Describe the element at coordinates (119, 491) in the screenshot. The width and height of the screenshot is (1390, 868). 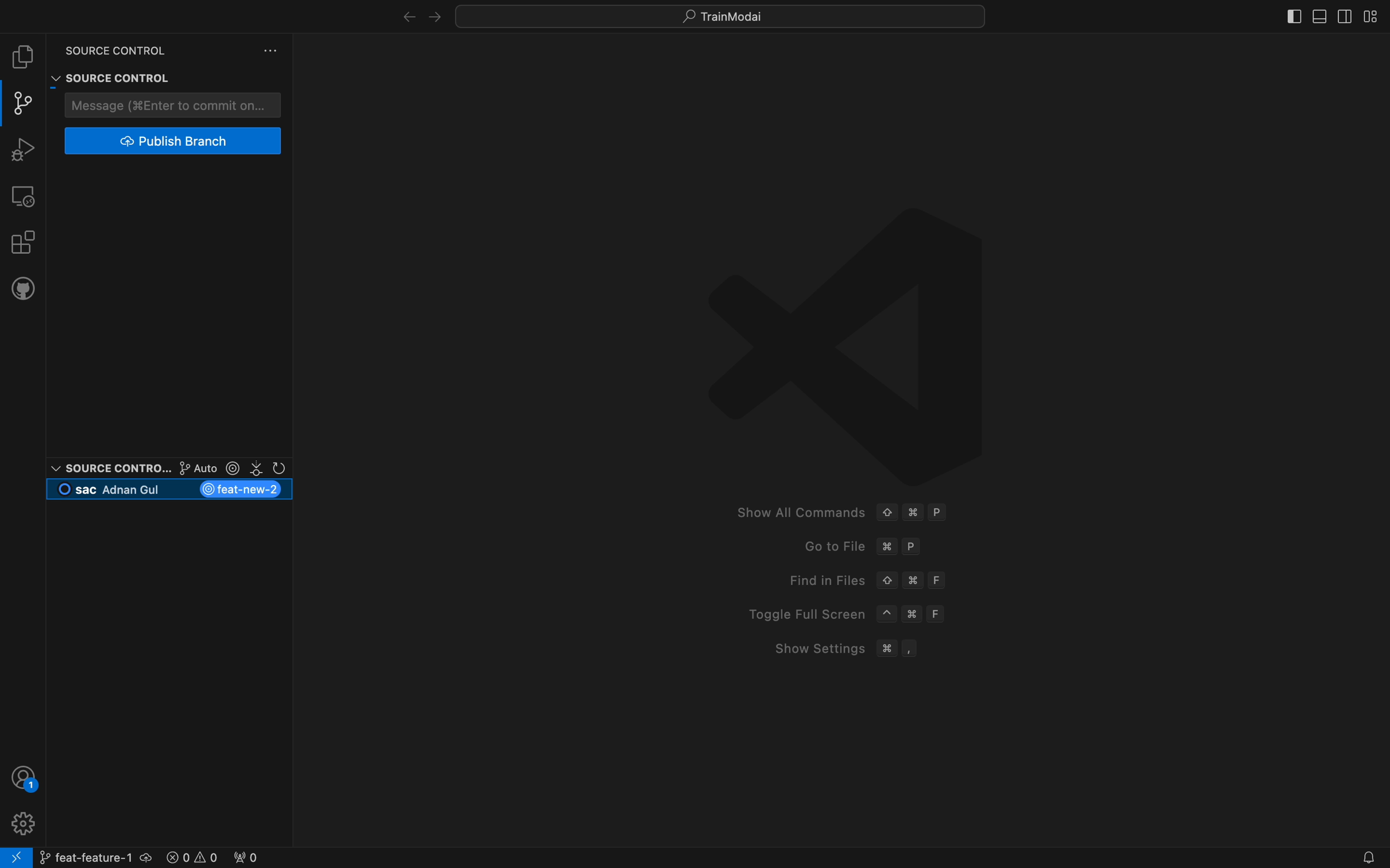
I see `current branch ` at that location.